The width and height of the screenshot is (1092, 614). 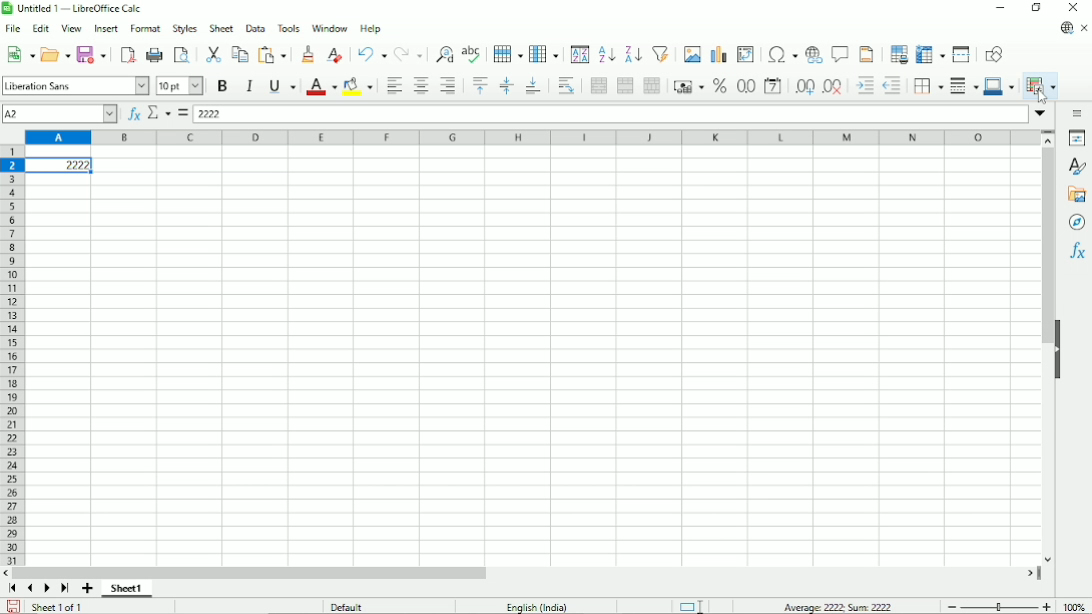 What do you see at coordinates (308, 53) in the screenshot?
I see `Clone formatting` at bounding box center [308, 53].